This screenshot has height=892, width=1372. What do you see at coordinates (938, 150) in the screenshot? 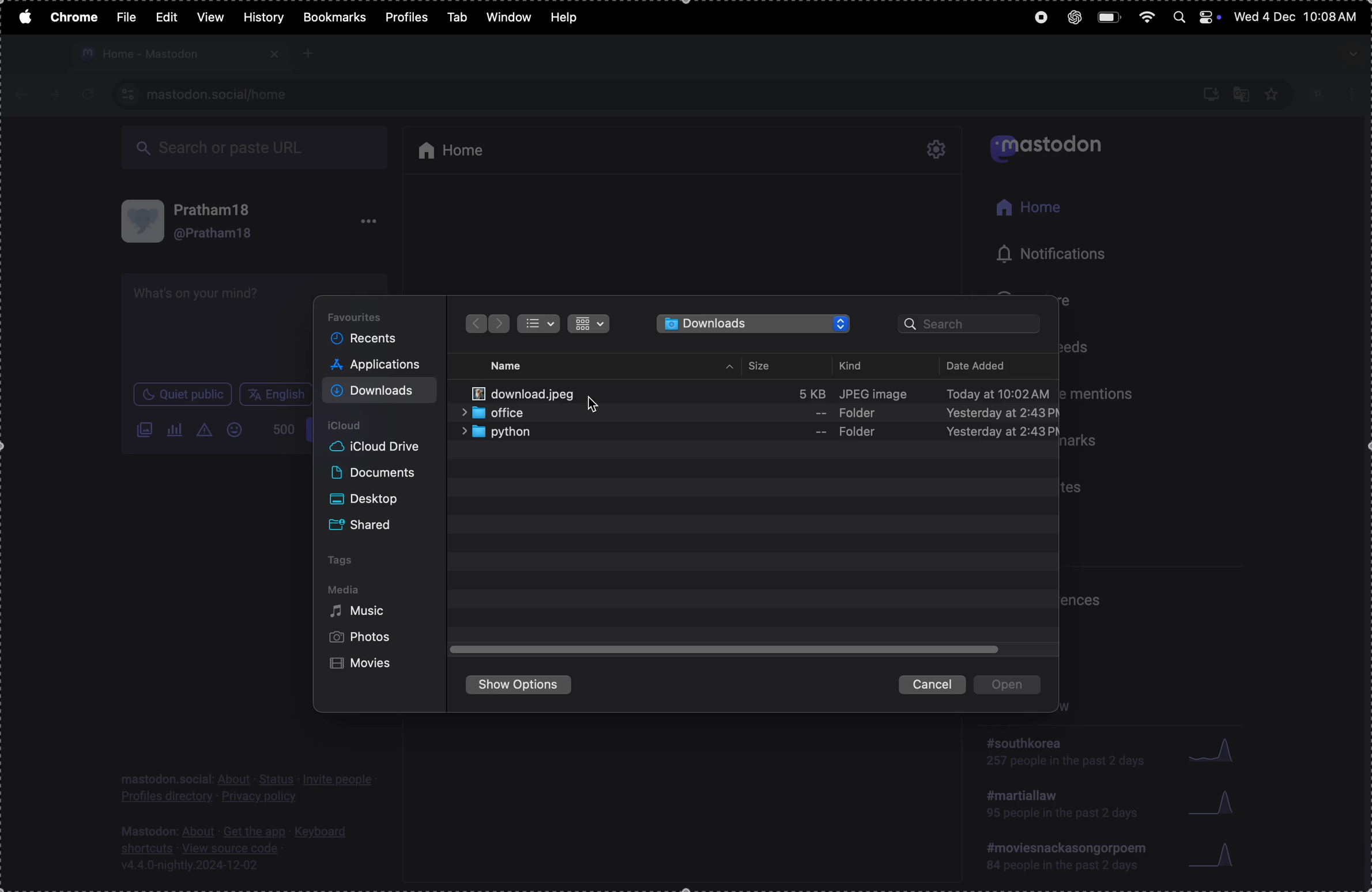
I see `setting` at bounding box center [938, 150].